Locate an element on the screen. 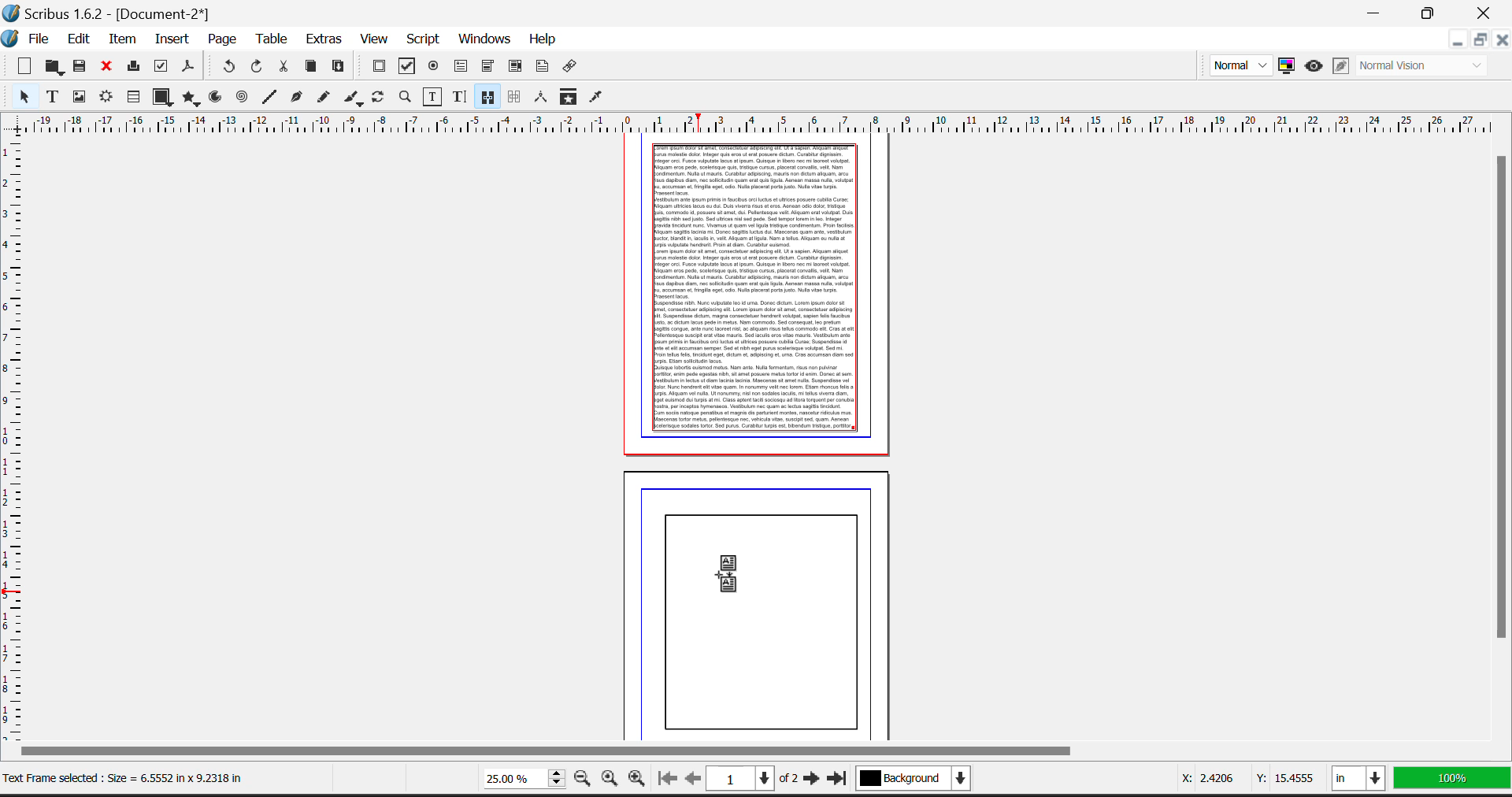  Redo is located at coordinates (259, 69).